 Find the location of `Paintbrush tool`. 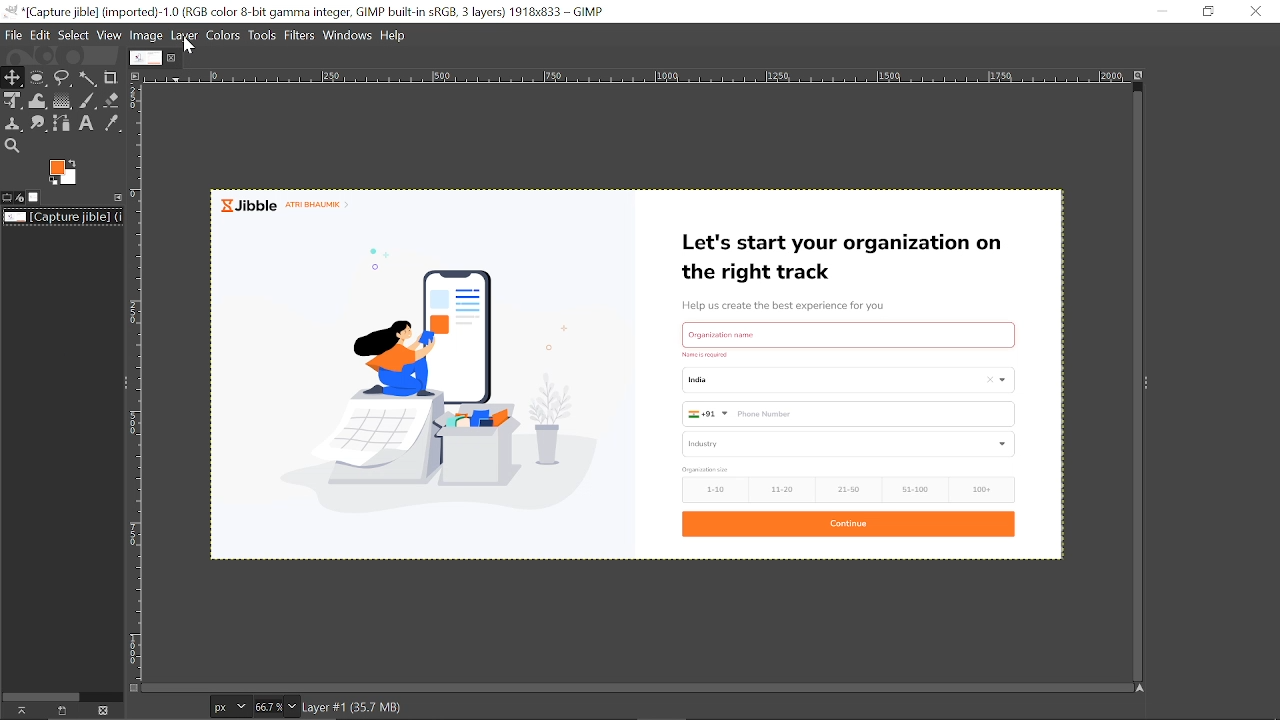

Paintbrush tool is located at coordinates (88, 101).